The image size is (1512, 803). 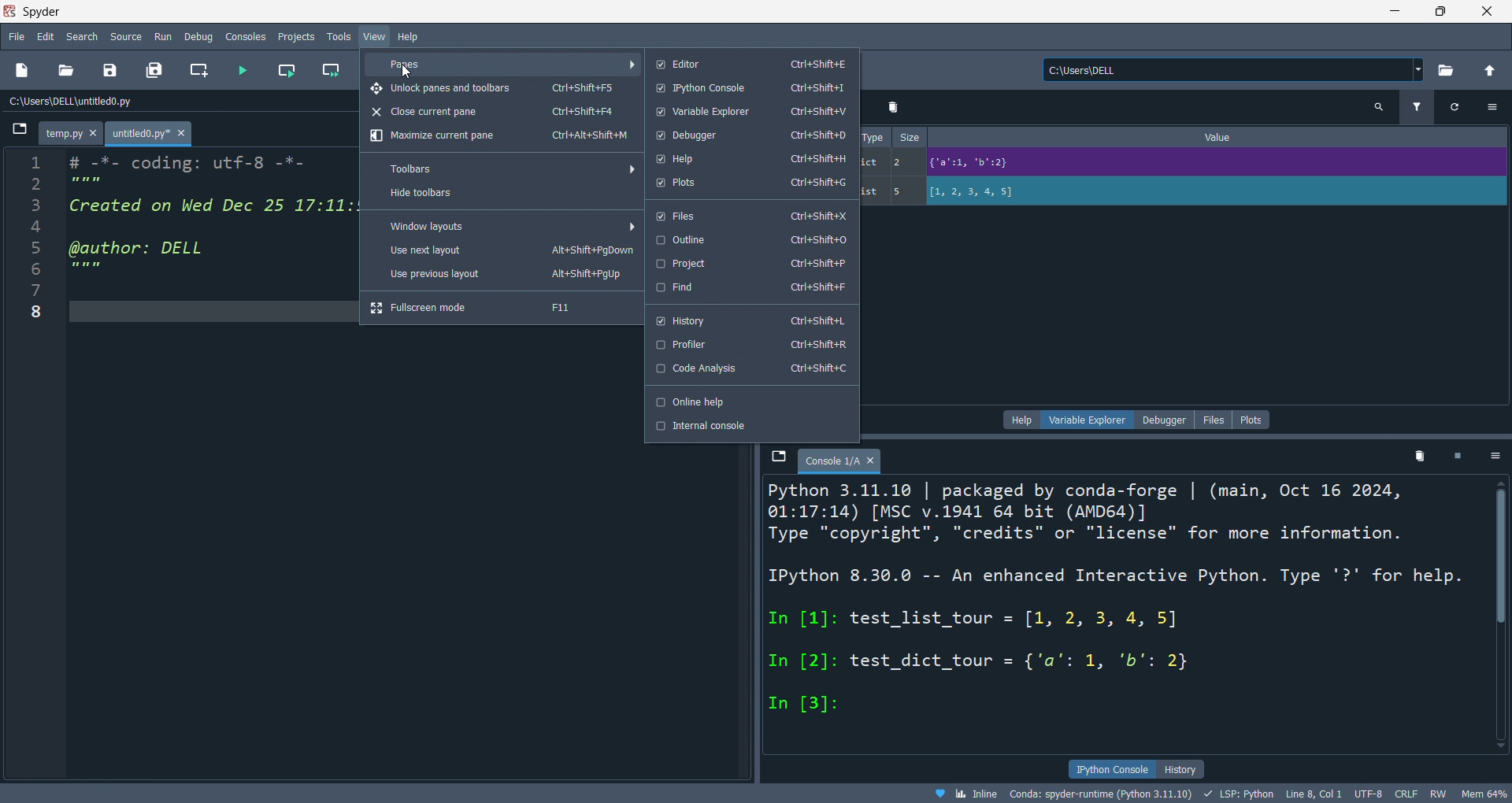 I want to click on variable value, so click(x=1213, y=165).